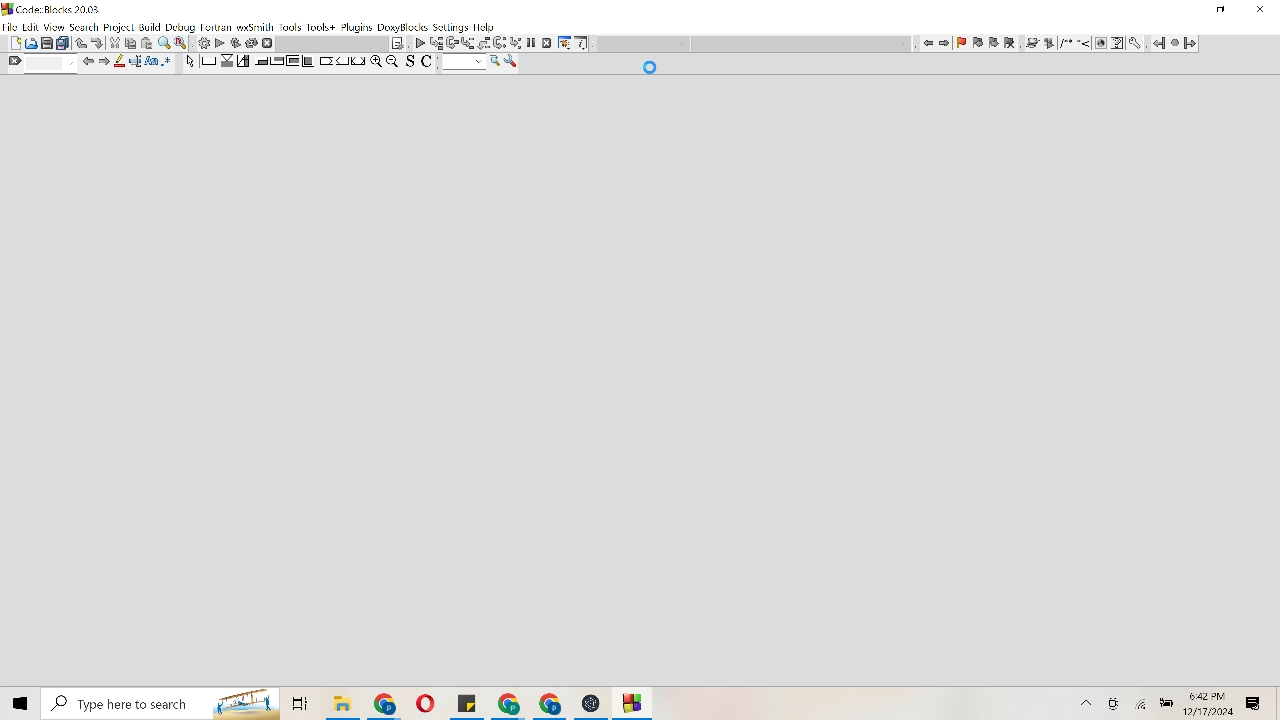 This screenshot has width=1280, height=720. What do you see at coordinates (393, 61) in the screenshot?
I see `Zoom out` at bounding box center [393, 61].